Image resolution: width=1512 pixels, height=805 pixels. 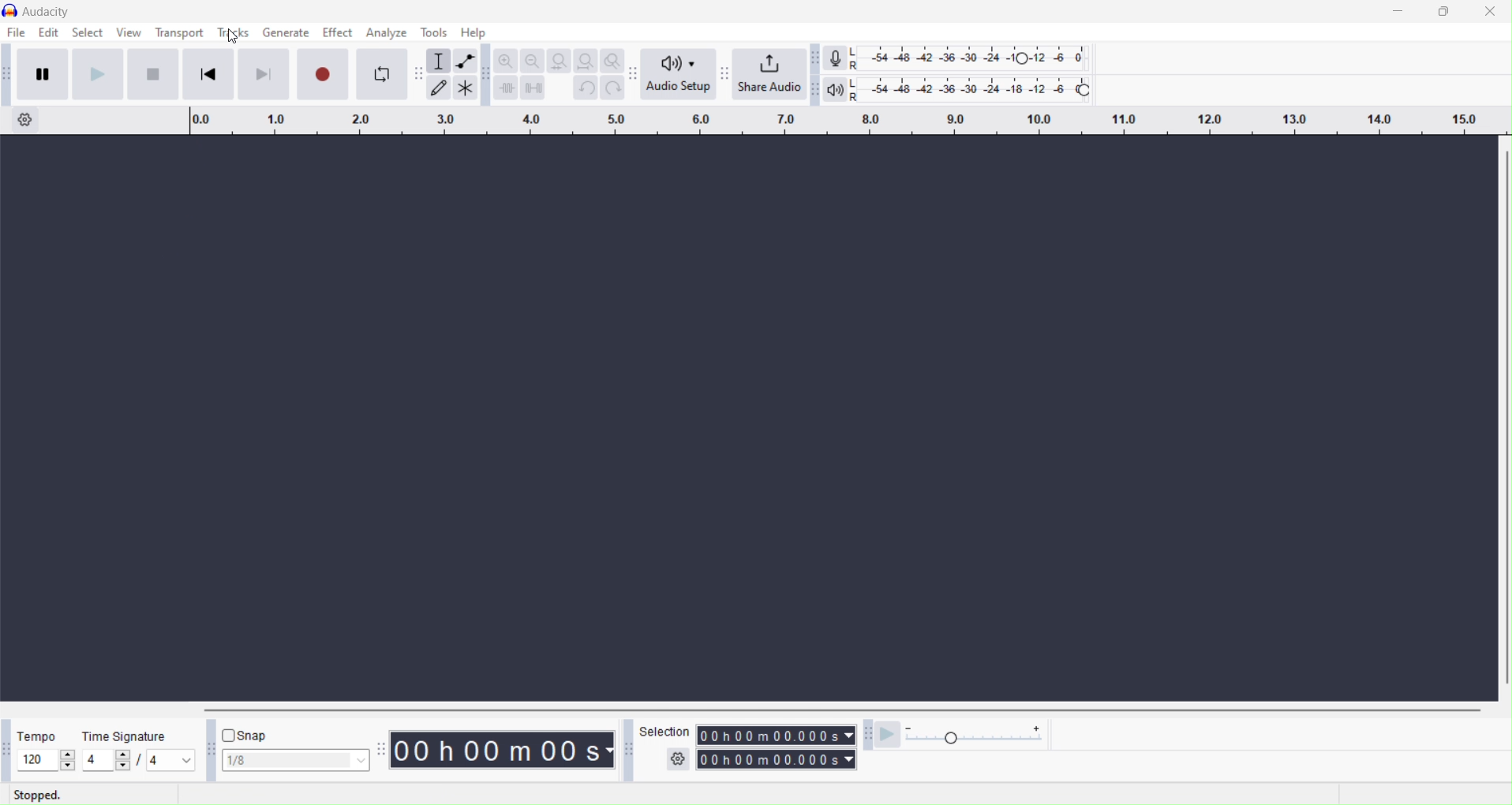 What do you see at coordinates (968, 58) in the screenshot?
I see `Recording level` at bounding box center [968, 58].